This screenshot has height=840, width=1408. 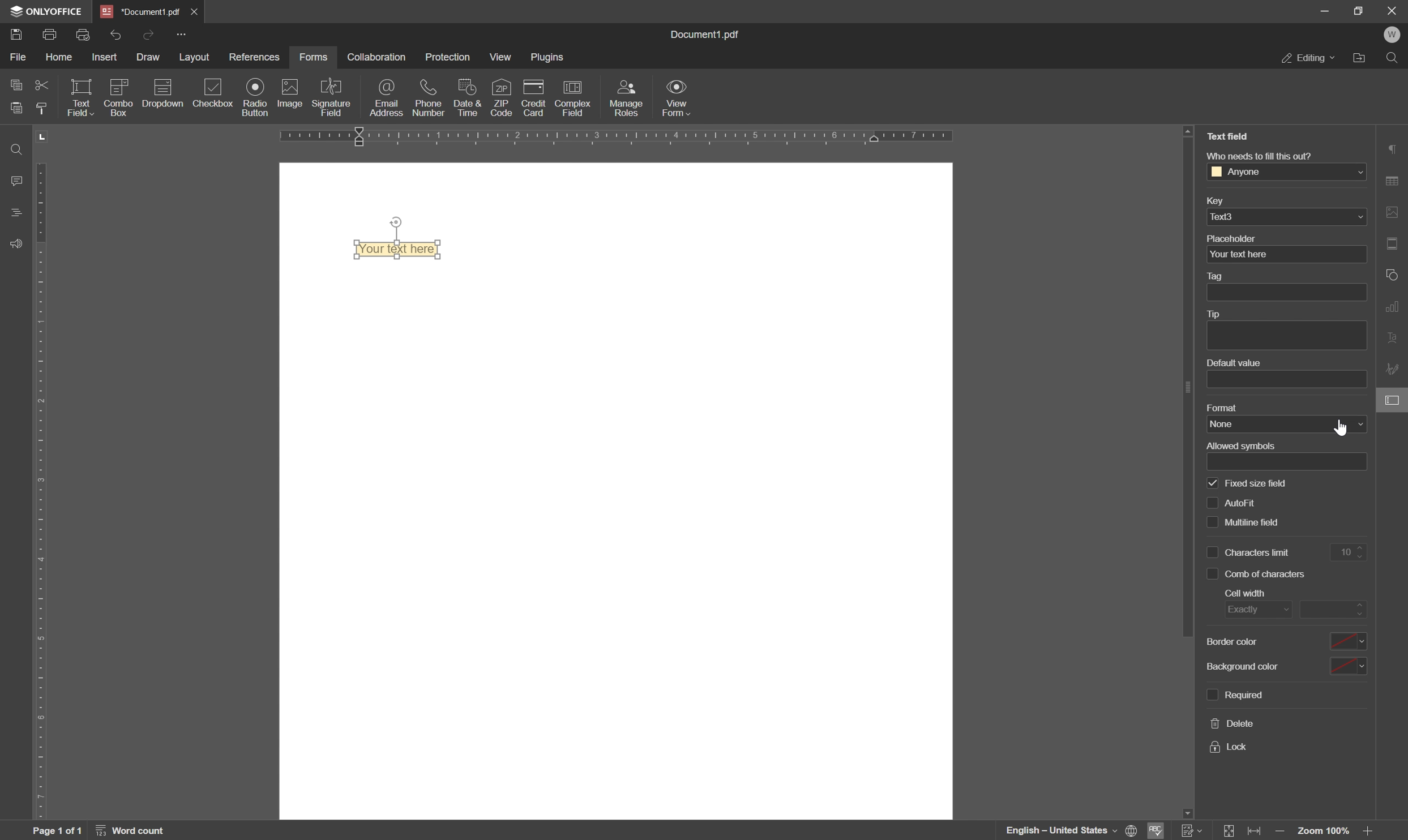 I want to click on tip, so click(x=1218, y=314).